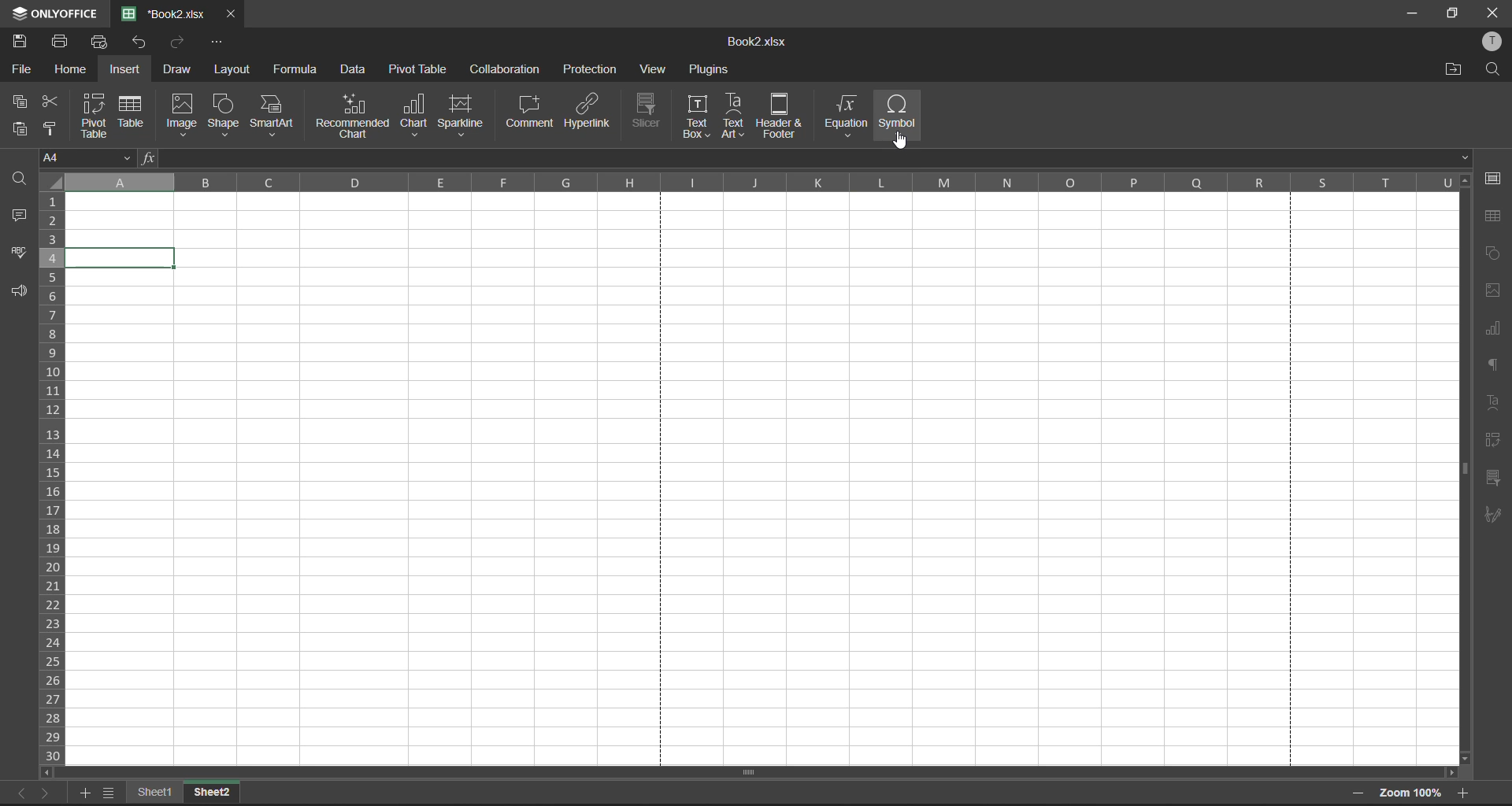 The height and width of the screenshot is (806, 1512). I want to click on signature, so click(1494, 513).